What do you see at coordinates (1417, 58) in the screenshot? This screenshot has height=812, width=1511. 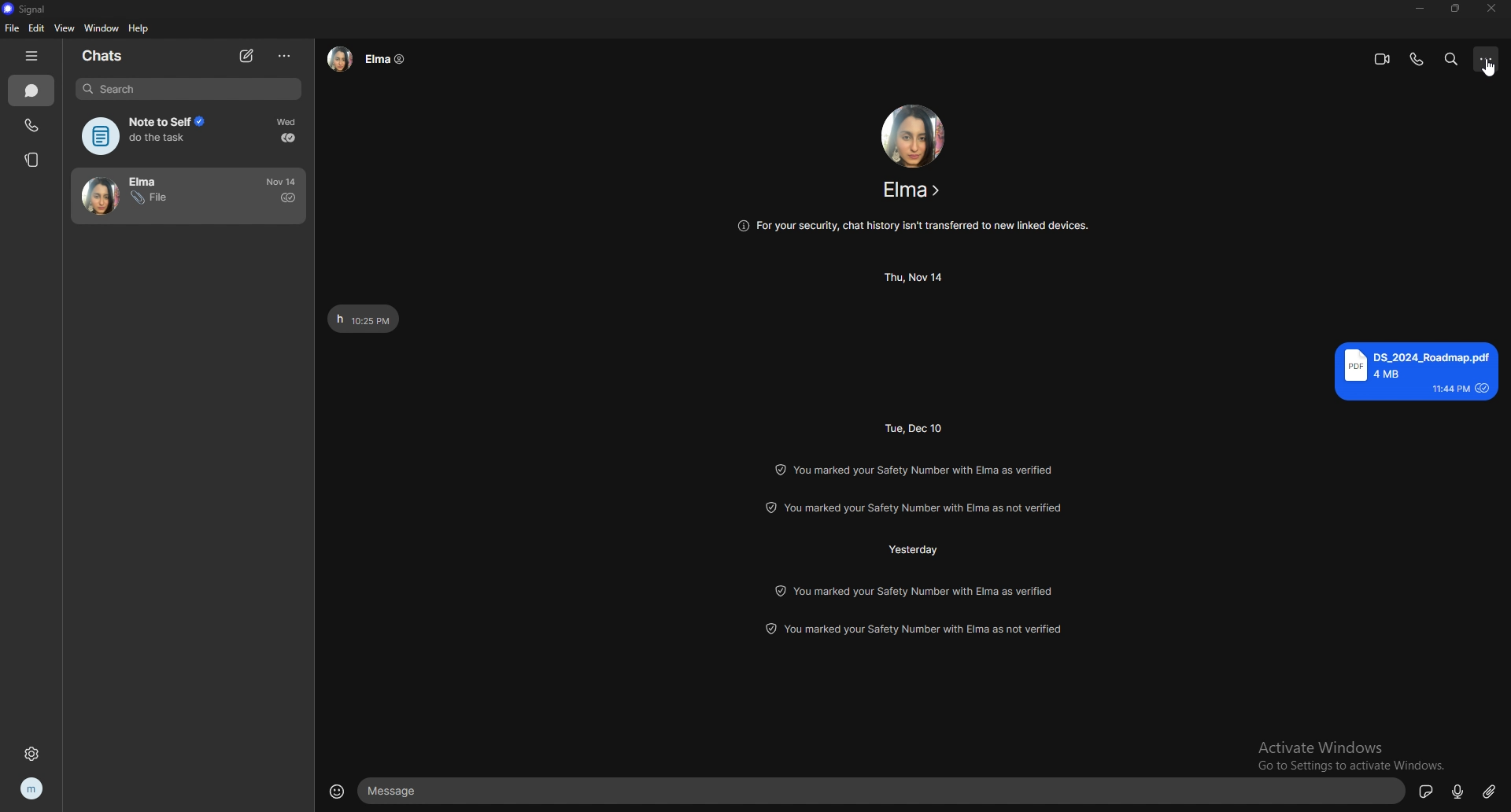 I see `voice call` at bounding box center [1417, 58].